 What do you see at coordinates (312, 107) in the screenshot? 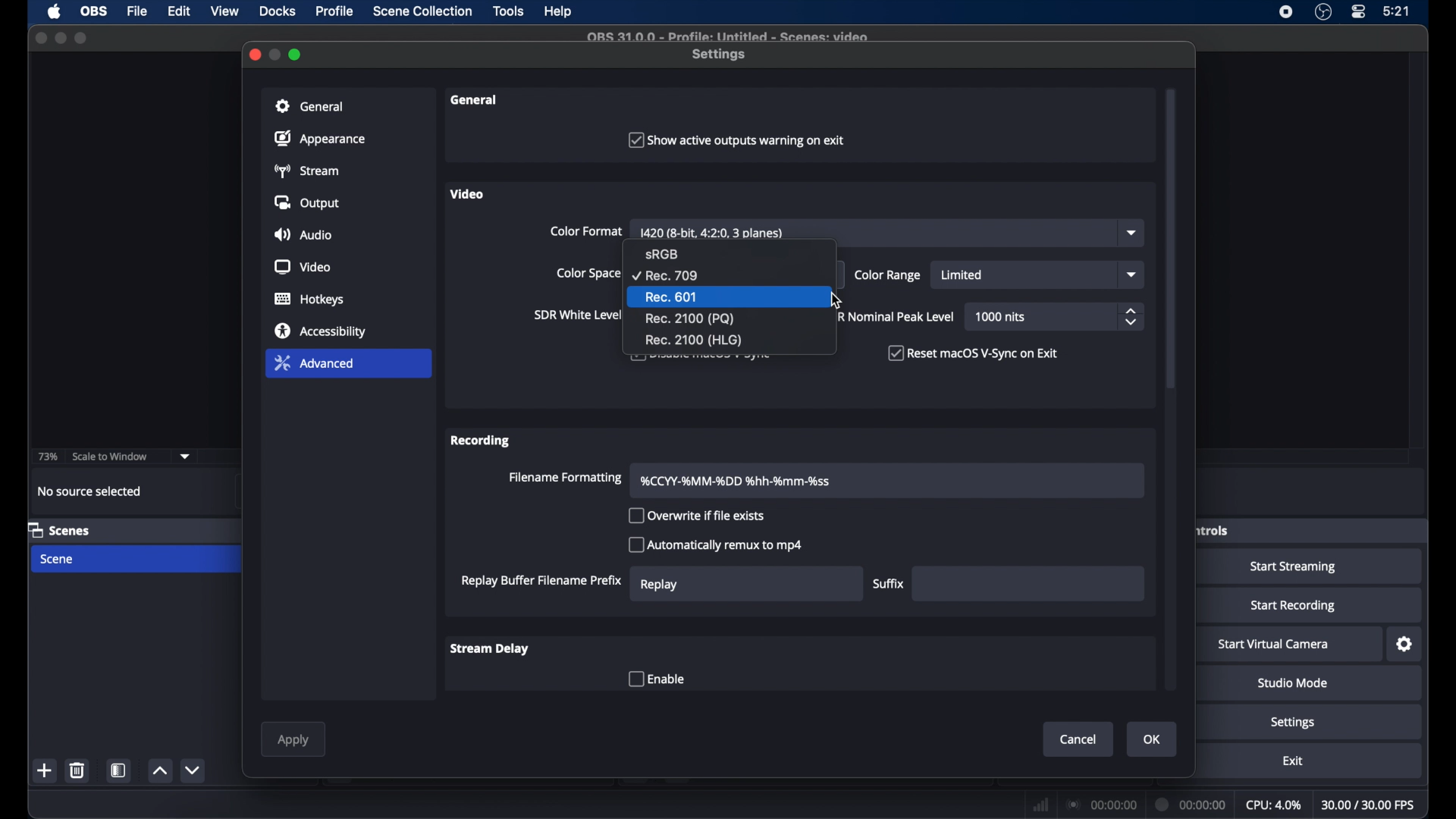
I see `general` at bounding box center [312, 107].